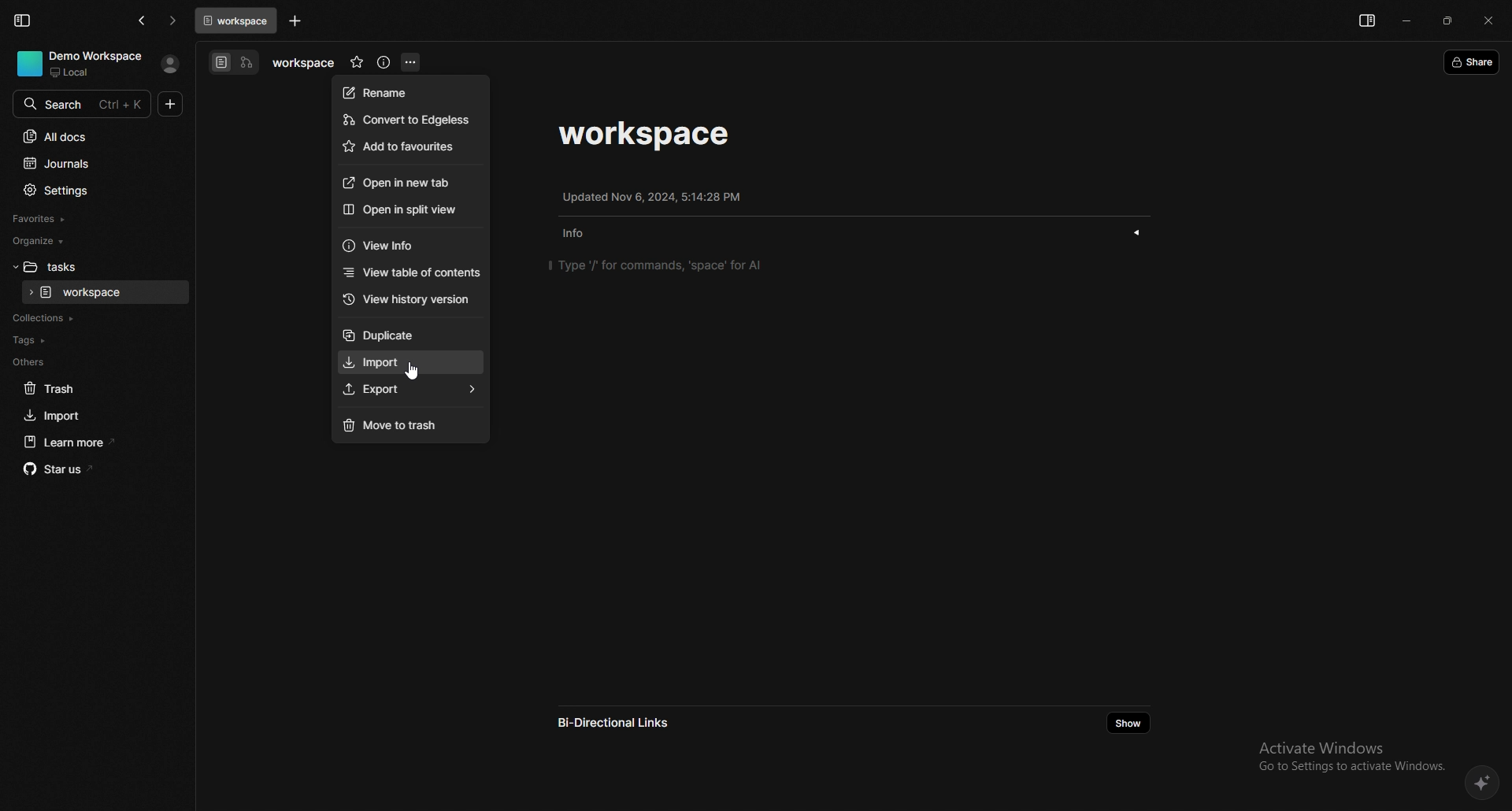 This screenshot has width=1512, height=811. I want to click on share, so click(1473, 61).